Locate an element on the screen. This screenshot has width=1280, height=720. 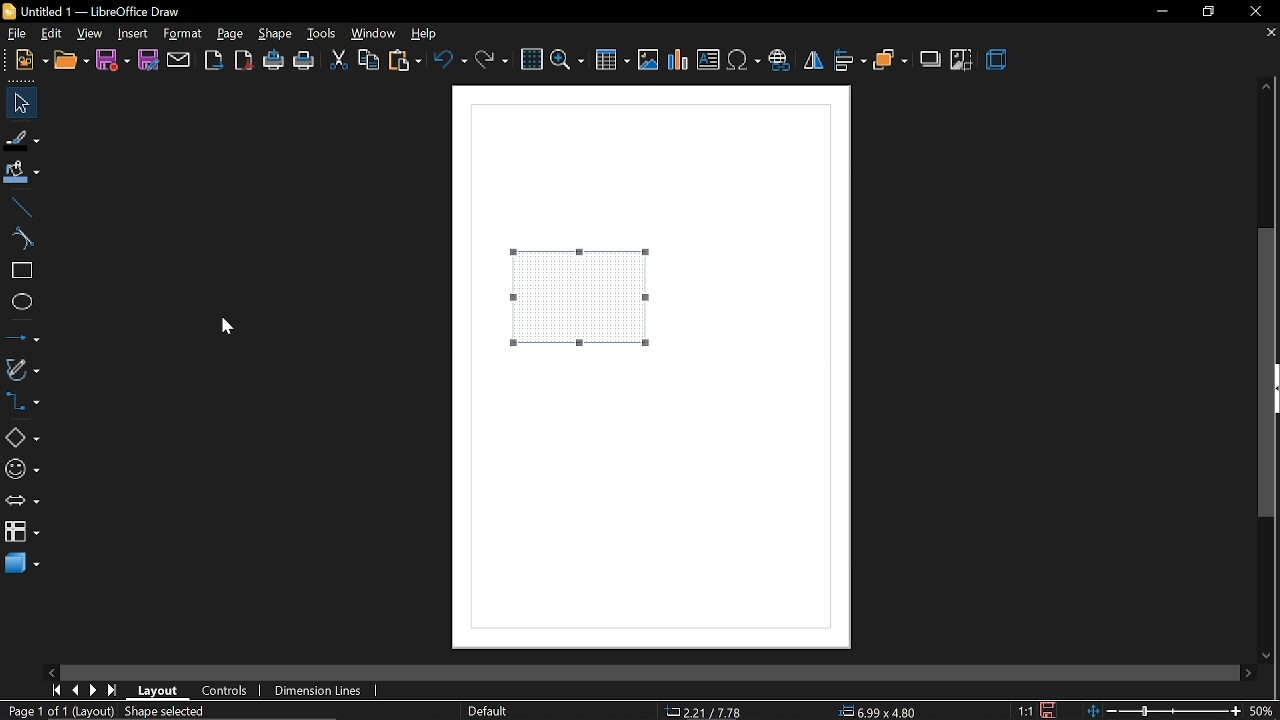
redo is located at coordinates (493, 61).